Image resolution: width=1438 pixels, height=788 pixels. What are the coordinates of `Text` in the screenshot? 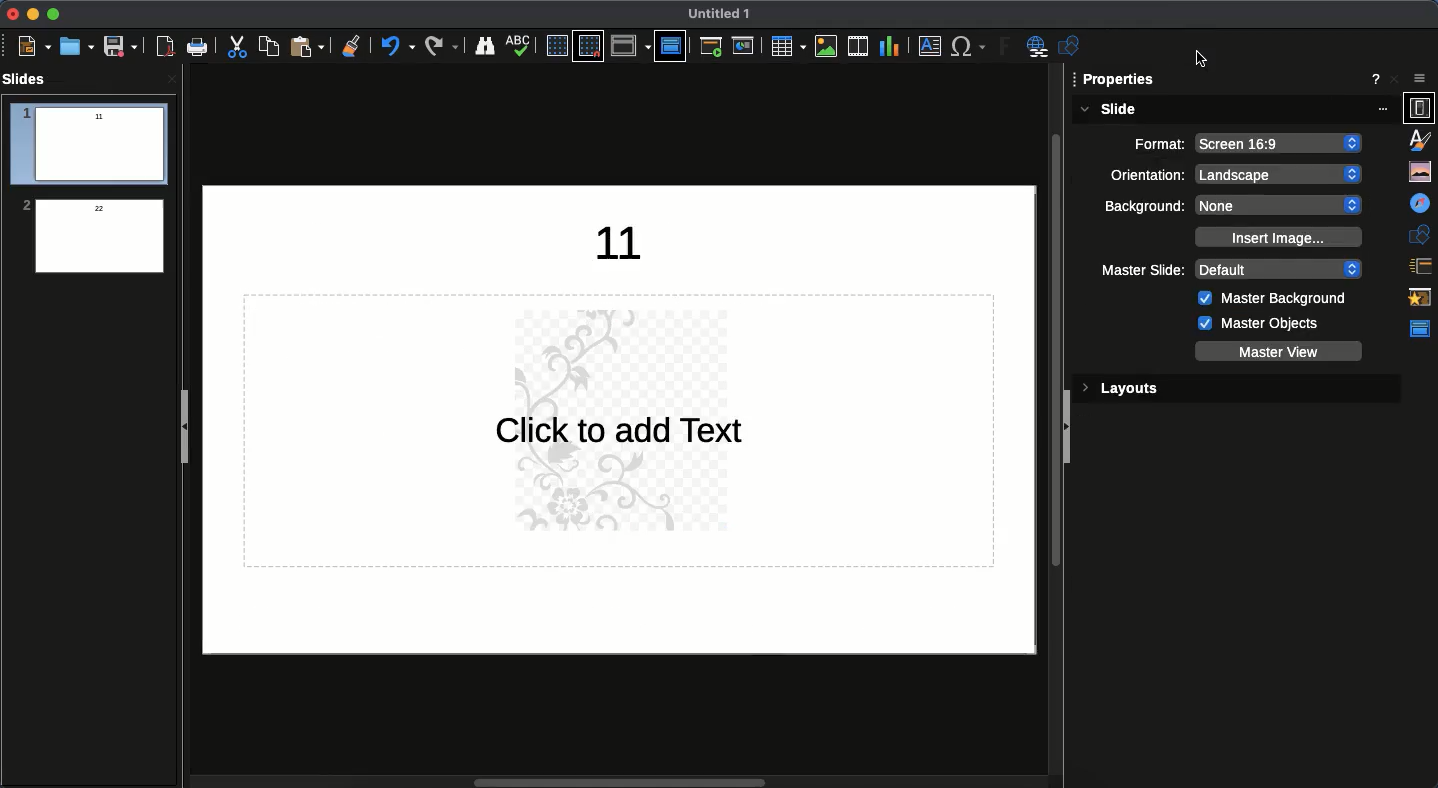 It's located at (610, 242).